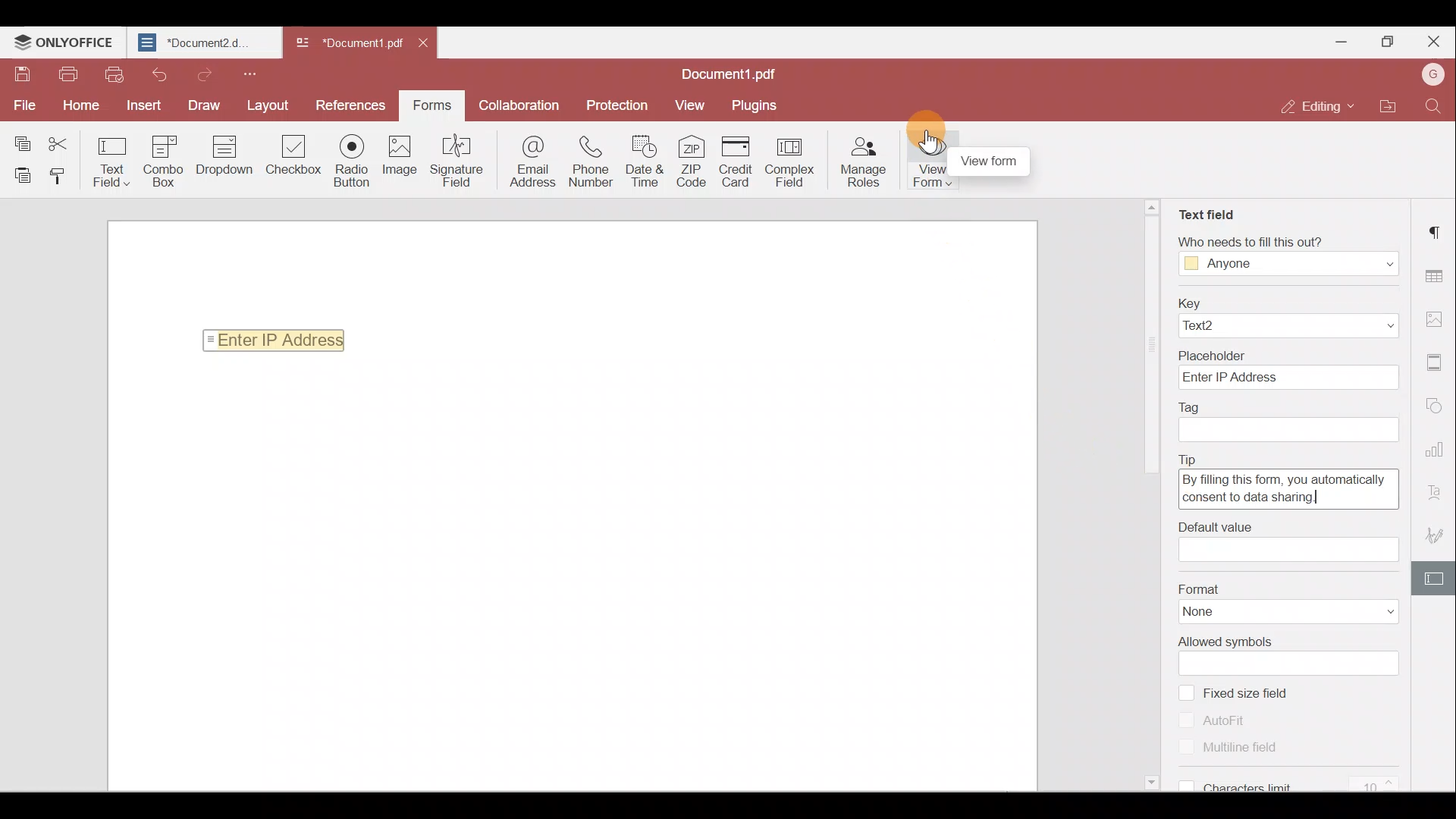 The width and height of the screenshot is (1456, 819). What do you see at coordinates (1185, 692) in the screenshot?
I see `checkbox` at bounding box center [1185, 692].